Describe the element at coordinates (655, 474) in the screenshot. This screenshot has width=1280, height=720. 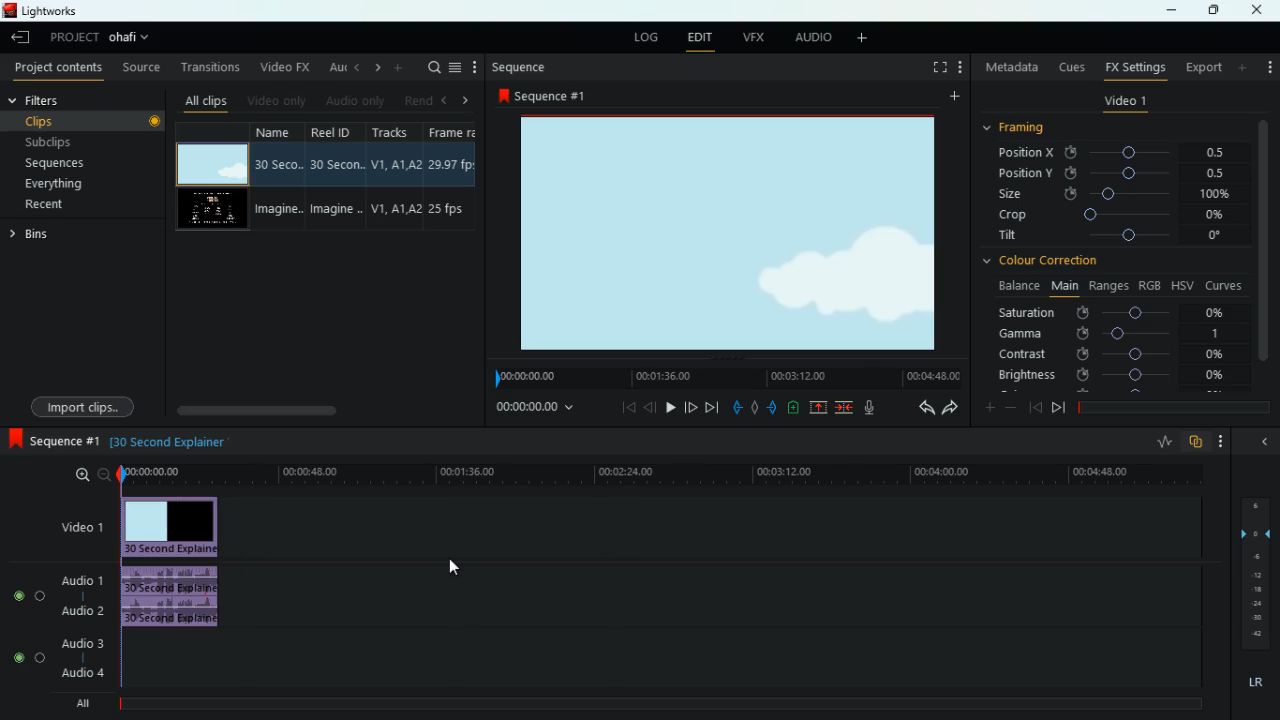
I see `timeline` at that location.